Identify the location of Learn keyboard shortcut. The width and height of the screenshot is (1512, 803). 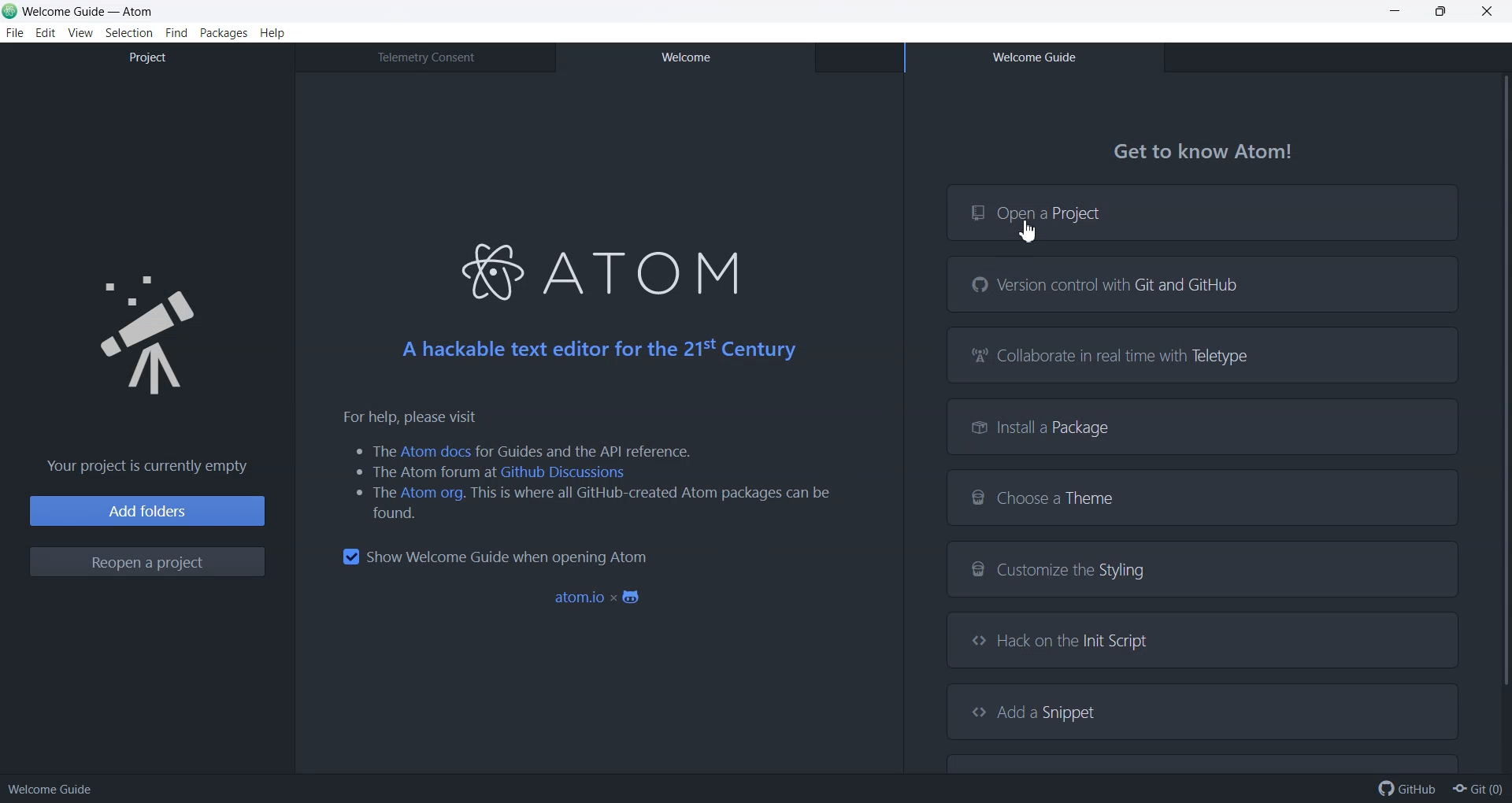
(1204, 760).